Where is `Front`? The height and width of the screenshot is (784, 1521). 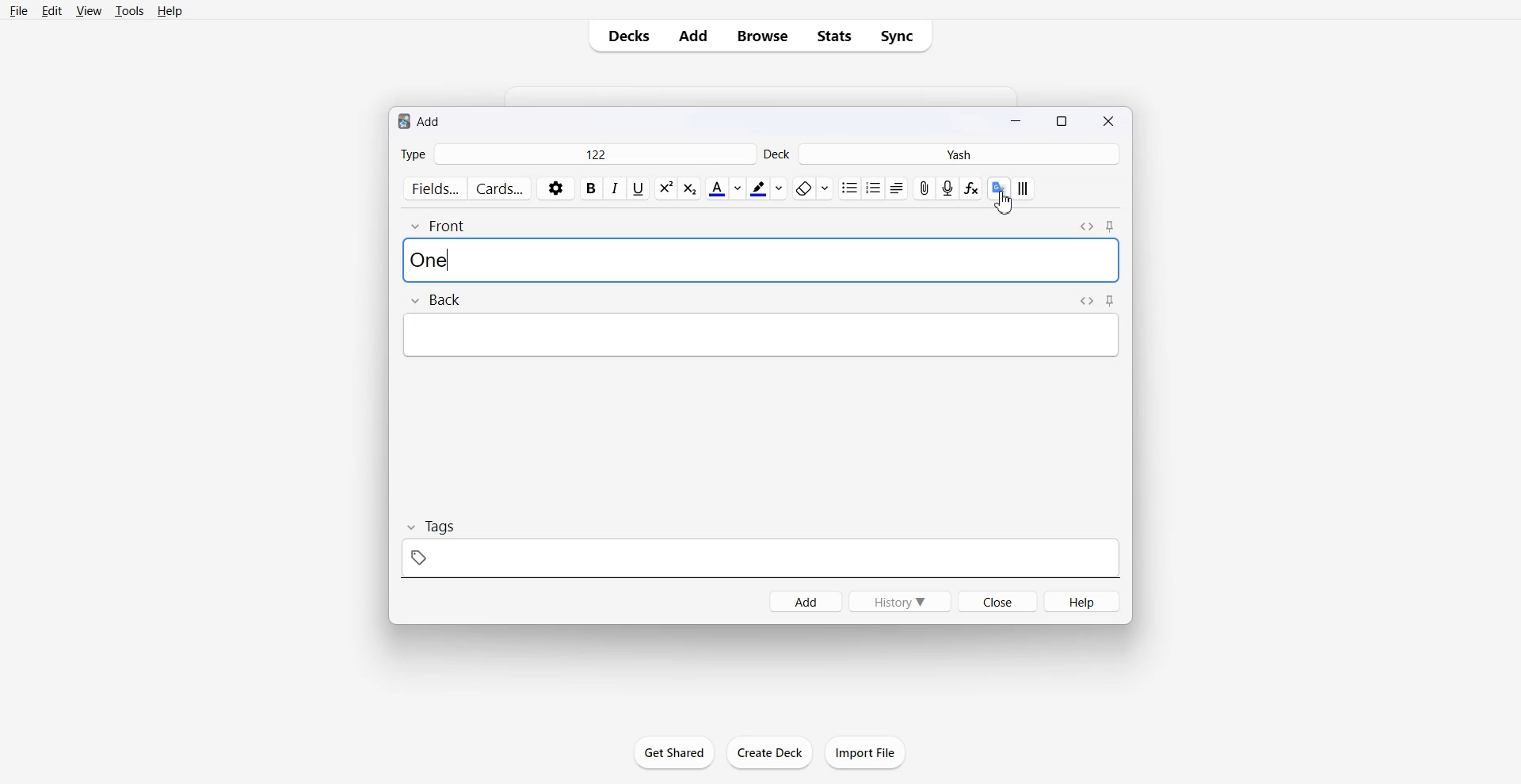
Front is located at coordinates (439, 225).